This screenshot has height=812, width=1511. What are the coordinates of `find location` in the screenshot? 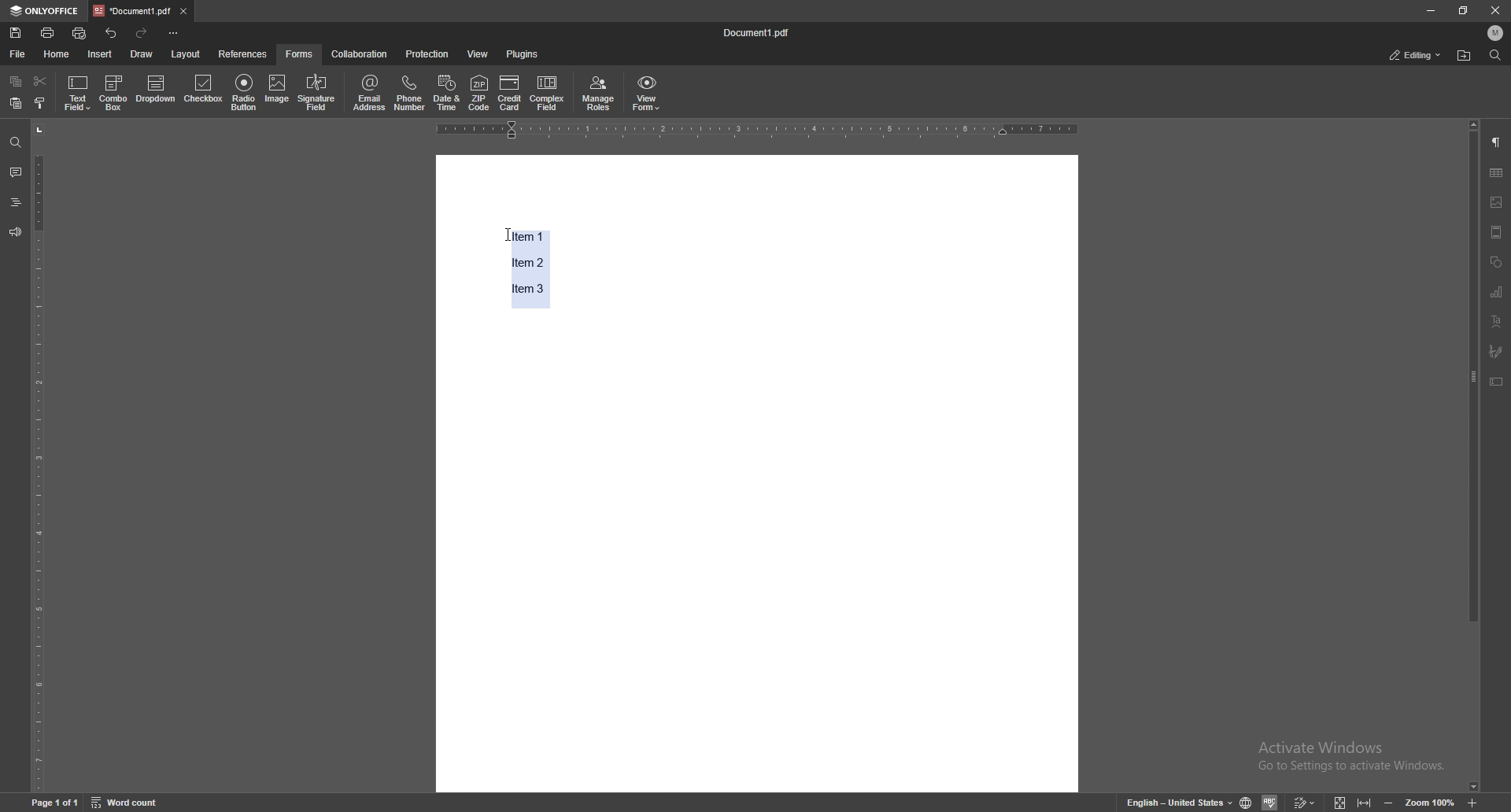 It's located at (1464, 57).